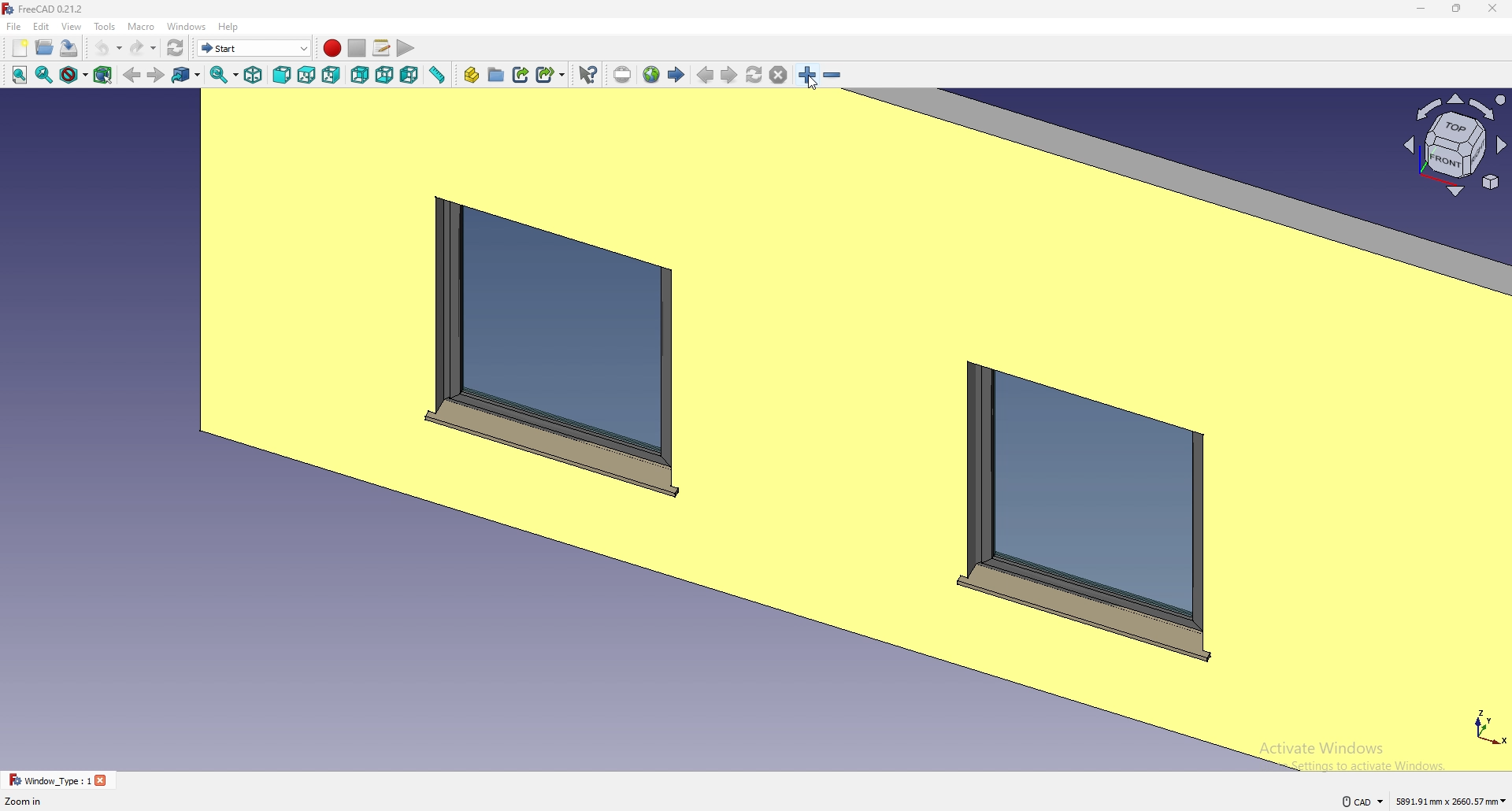 Image resolution: width=1512 pixels, height=811 pixels. Describe the element at coordinates (587, 74) in the screenshot. I see `whats this?` at that location.